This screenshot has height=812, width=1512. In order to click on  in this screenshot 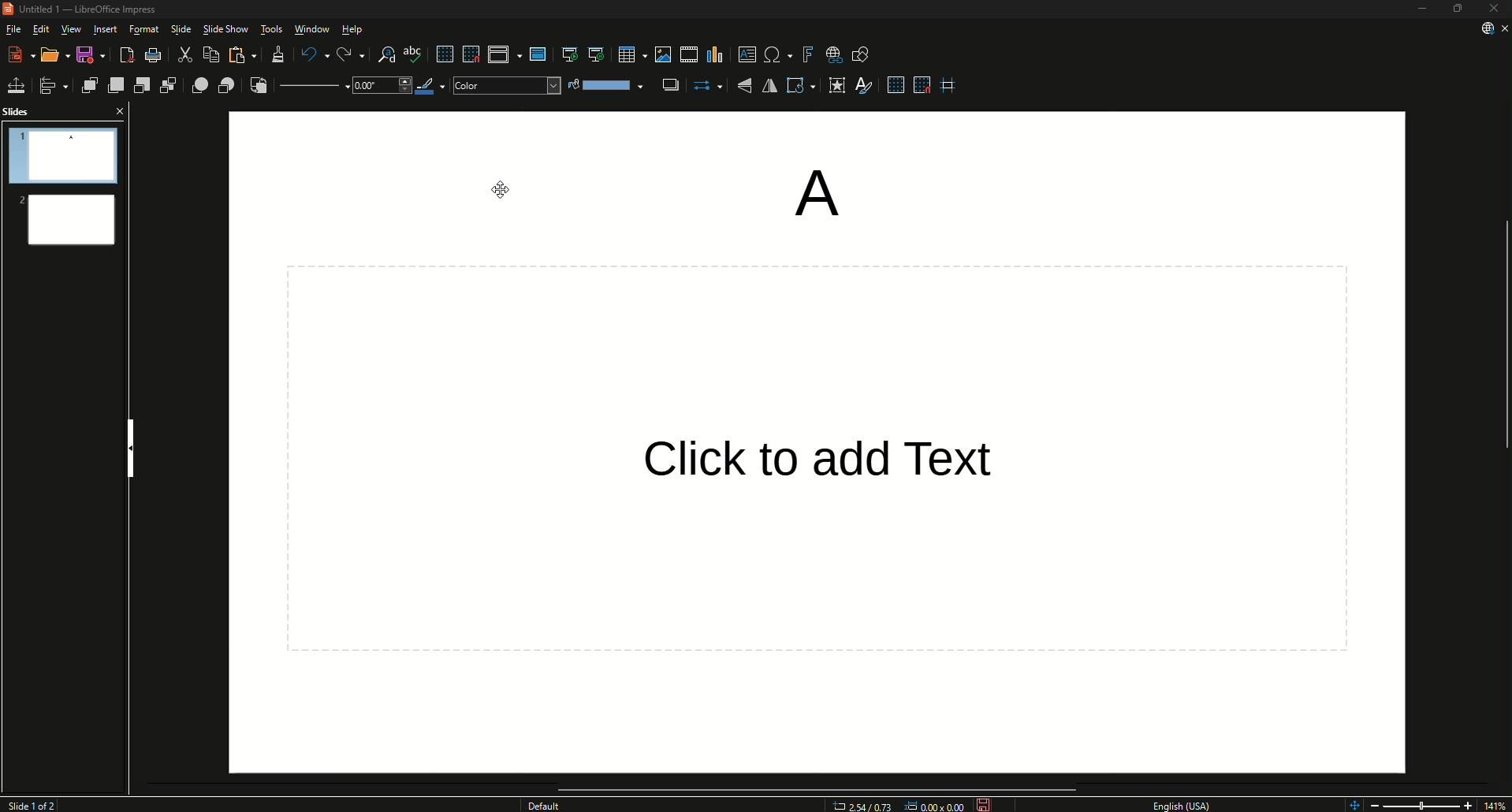, I will do `click(547, 806)`.